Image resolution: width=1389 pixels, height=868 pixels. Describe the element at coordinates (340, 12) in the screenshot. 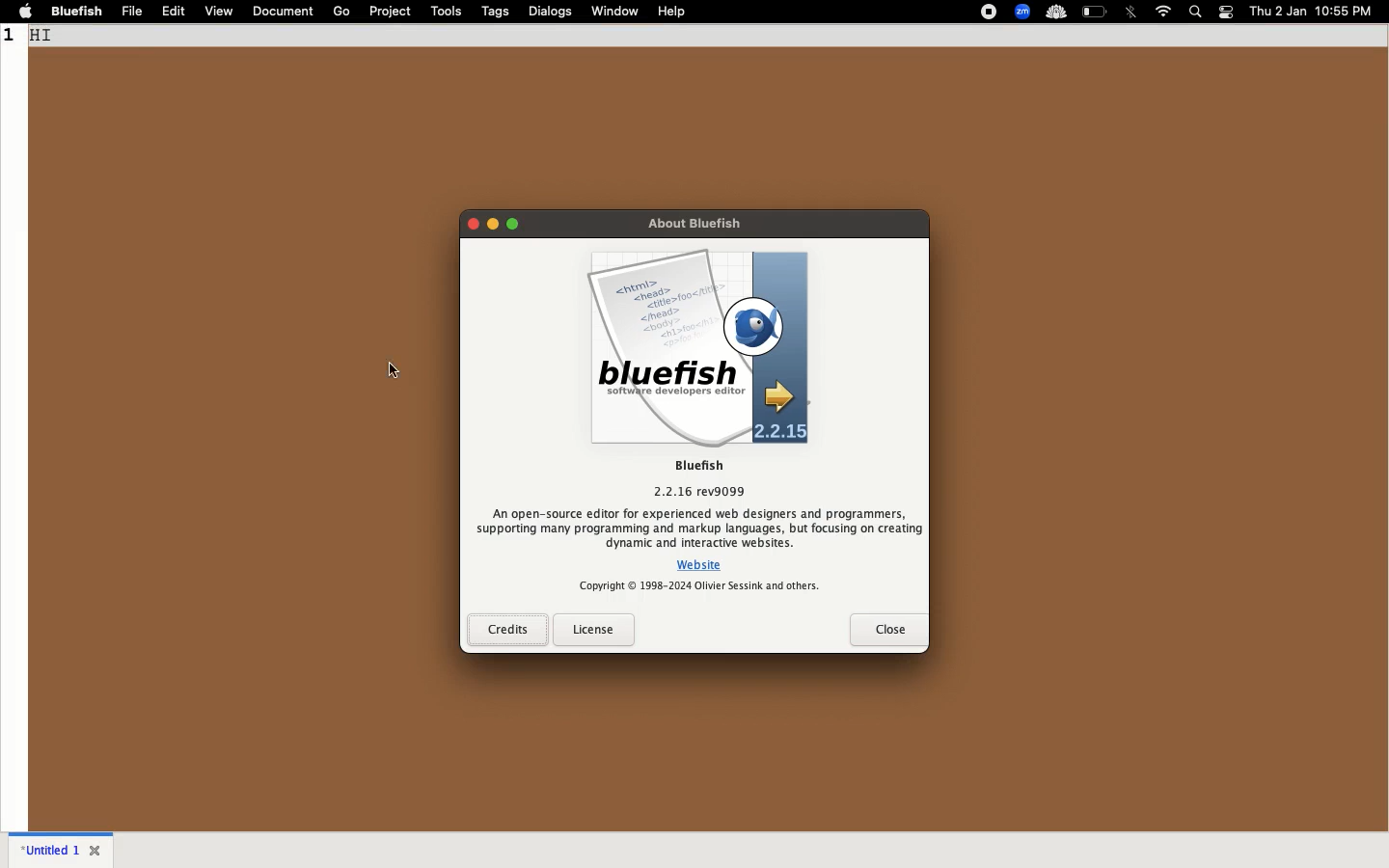

I see `go` at that location.